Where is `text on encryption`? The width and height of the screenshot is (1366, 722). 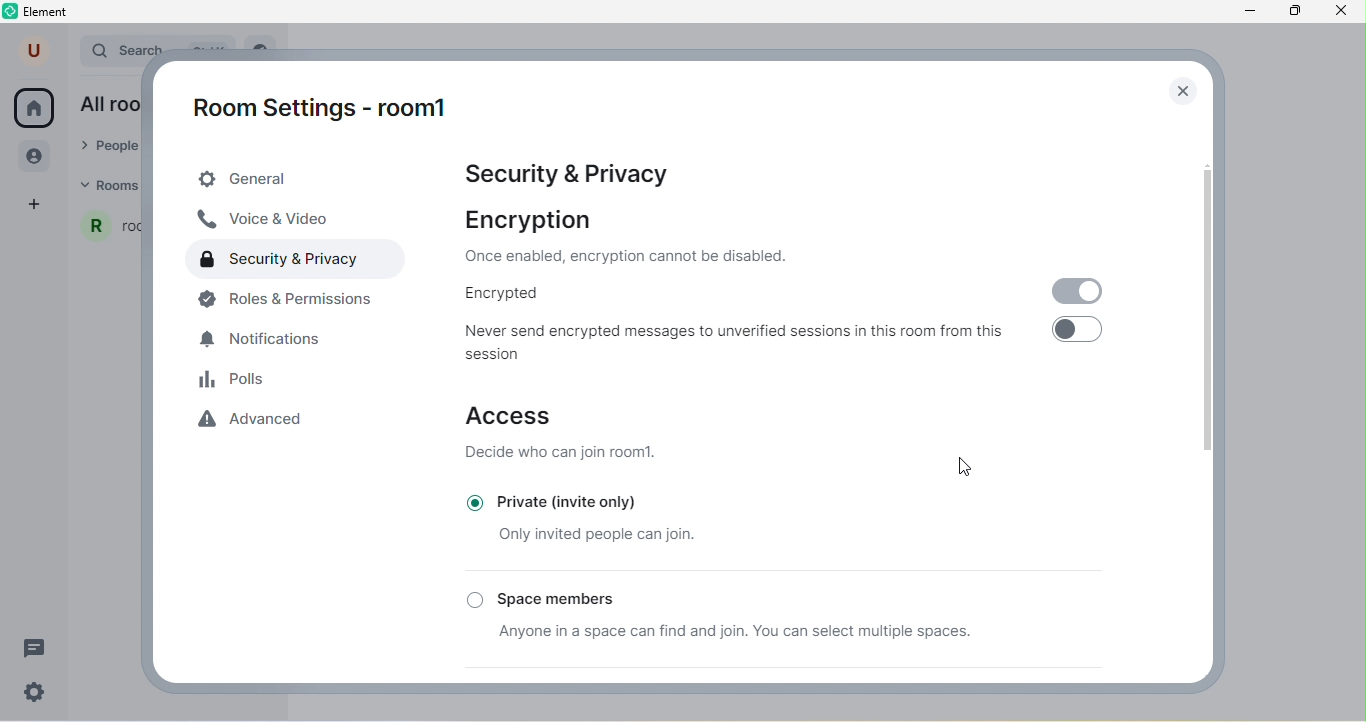 text on encryption is located at coordinates (637, 259).